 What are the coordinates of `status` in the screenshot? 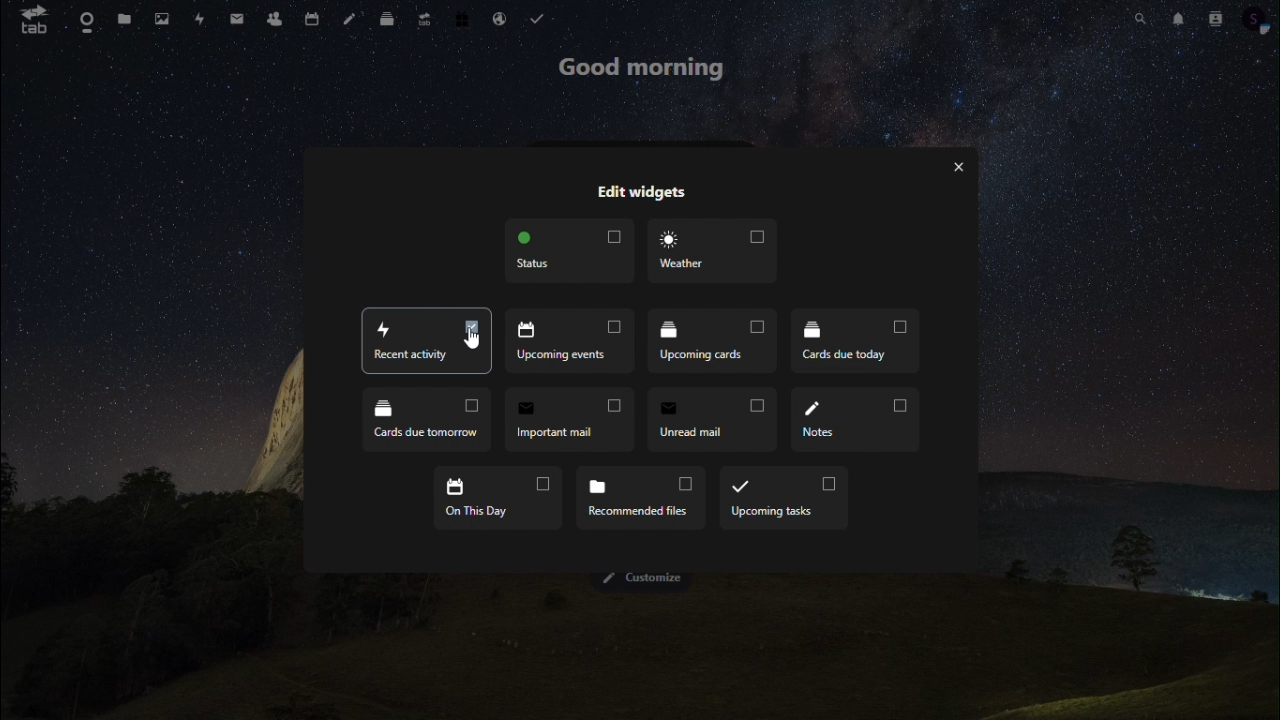 It's located at (572, 255).